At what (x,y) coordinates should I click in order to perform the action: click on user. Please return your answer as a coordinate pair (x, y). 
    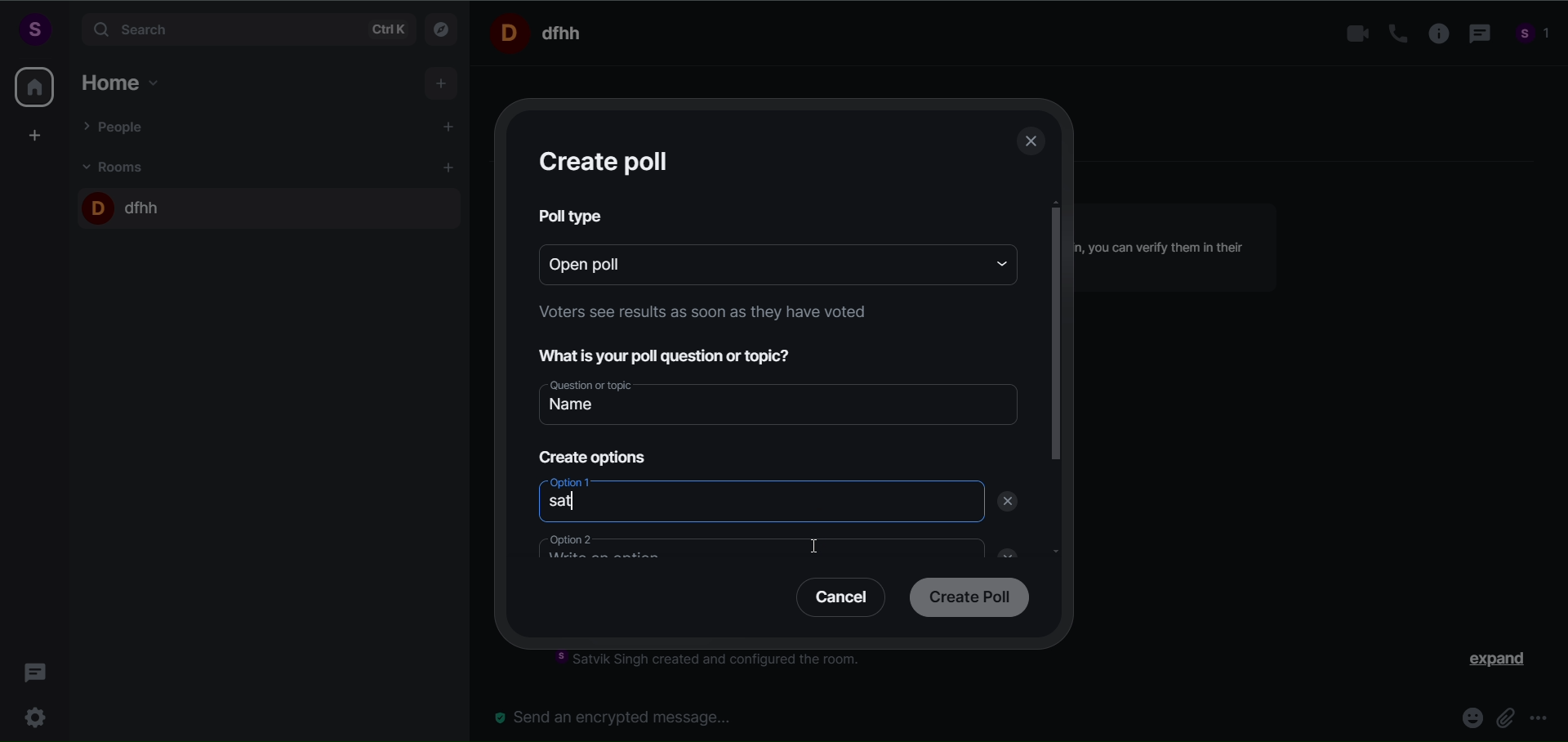
    Looking at the image, I should click on (33, 29).